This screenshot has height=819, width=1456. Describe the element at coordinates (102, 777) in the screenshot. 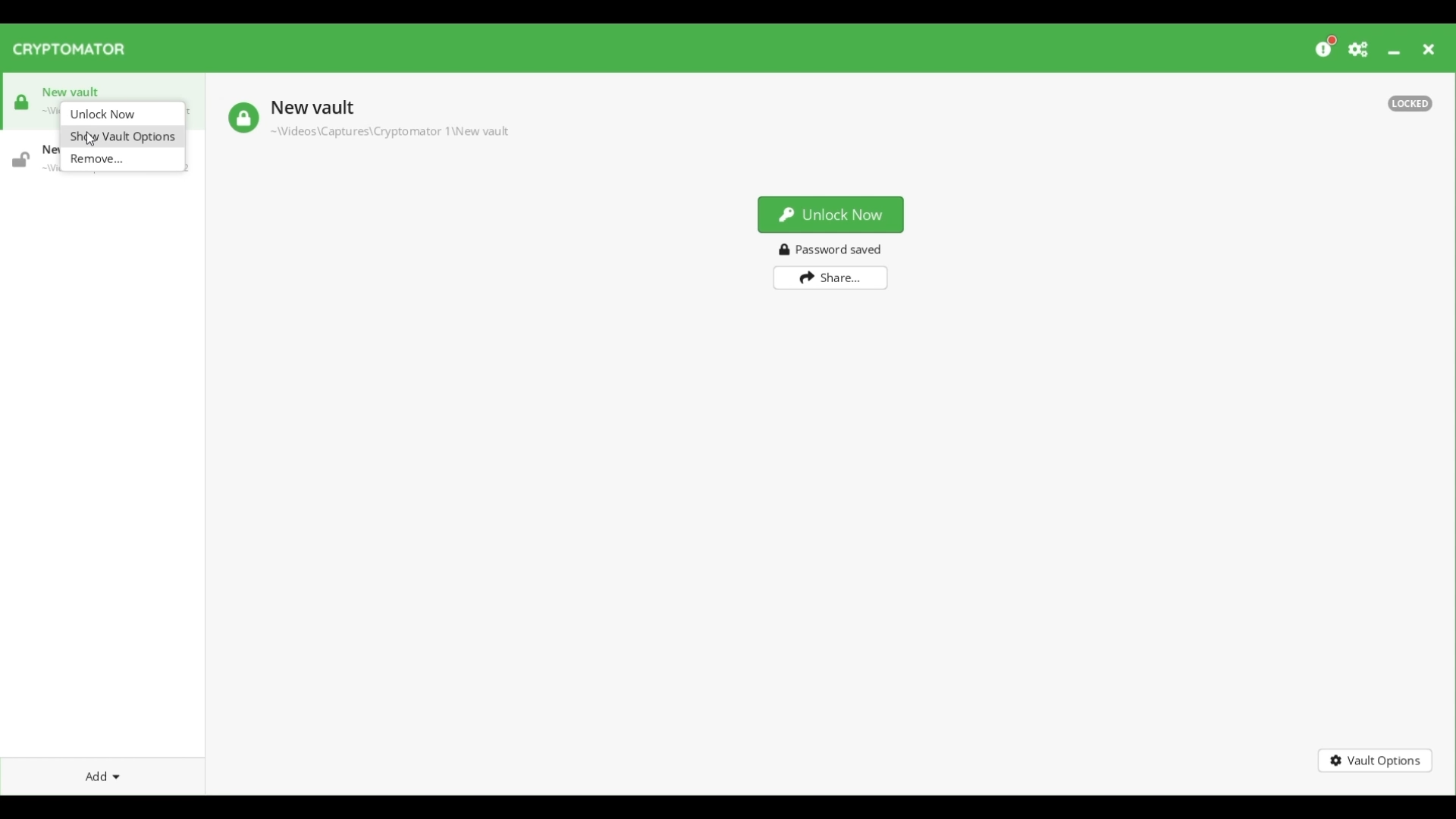

I see `Add new vault` at that location.